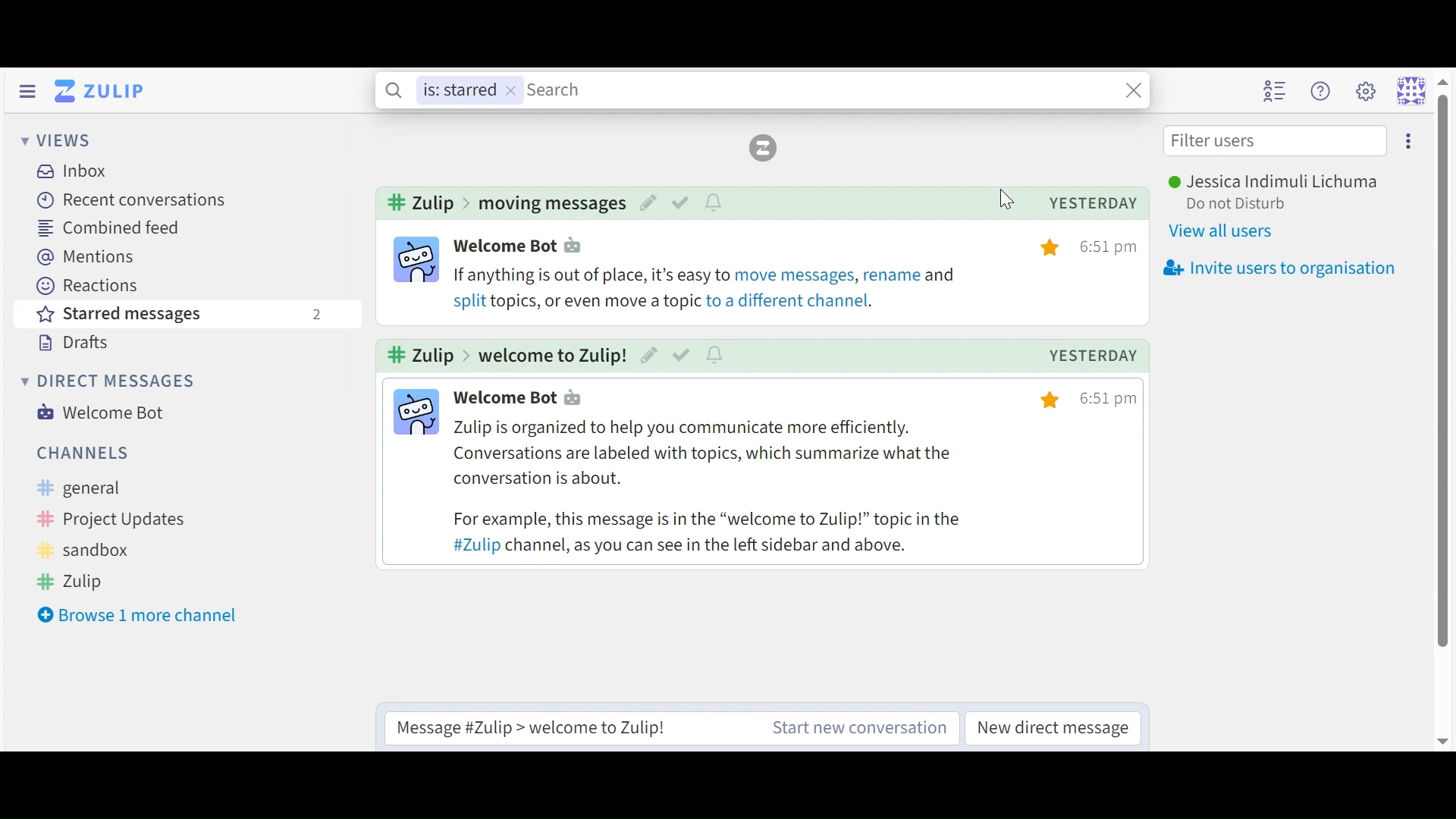 The width and height of the screenshot is (1456, 819). I want to click on Drafts, so click(74, 342).